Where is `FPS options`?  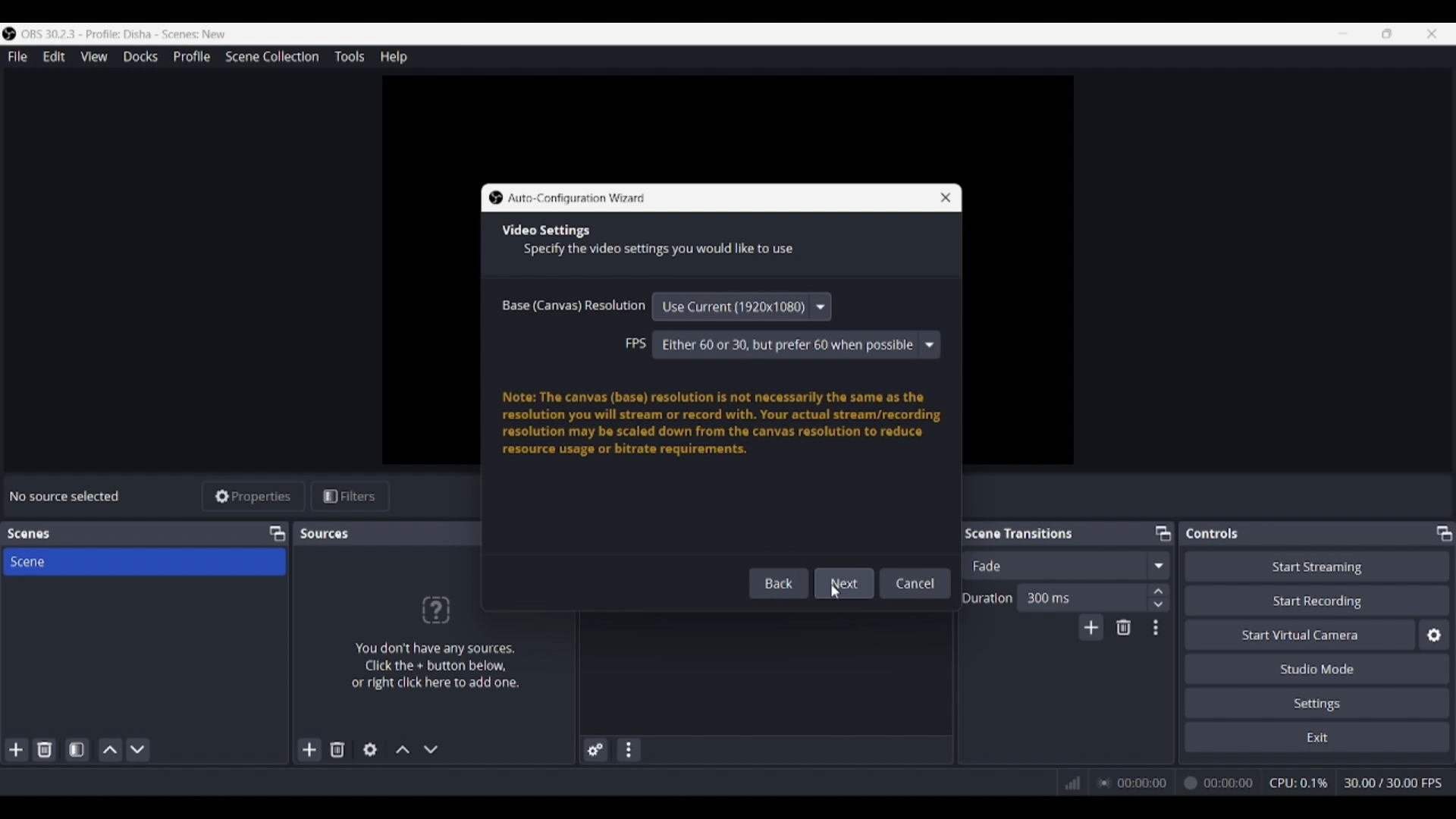
FPS options is located at coordinates (796, 345).